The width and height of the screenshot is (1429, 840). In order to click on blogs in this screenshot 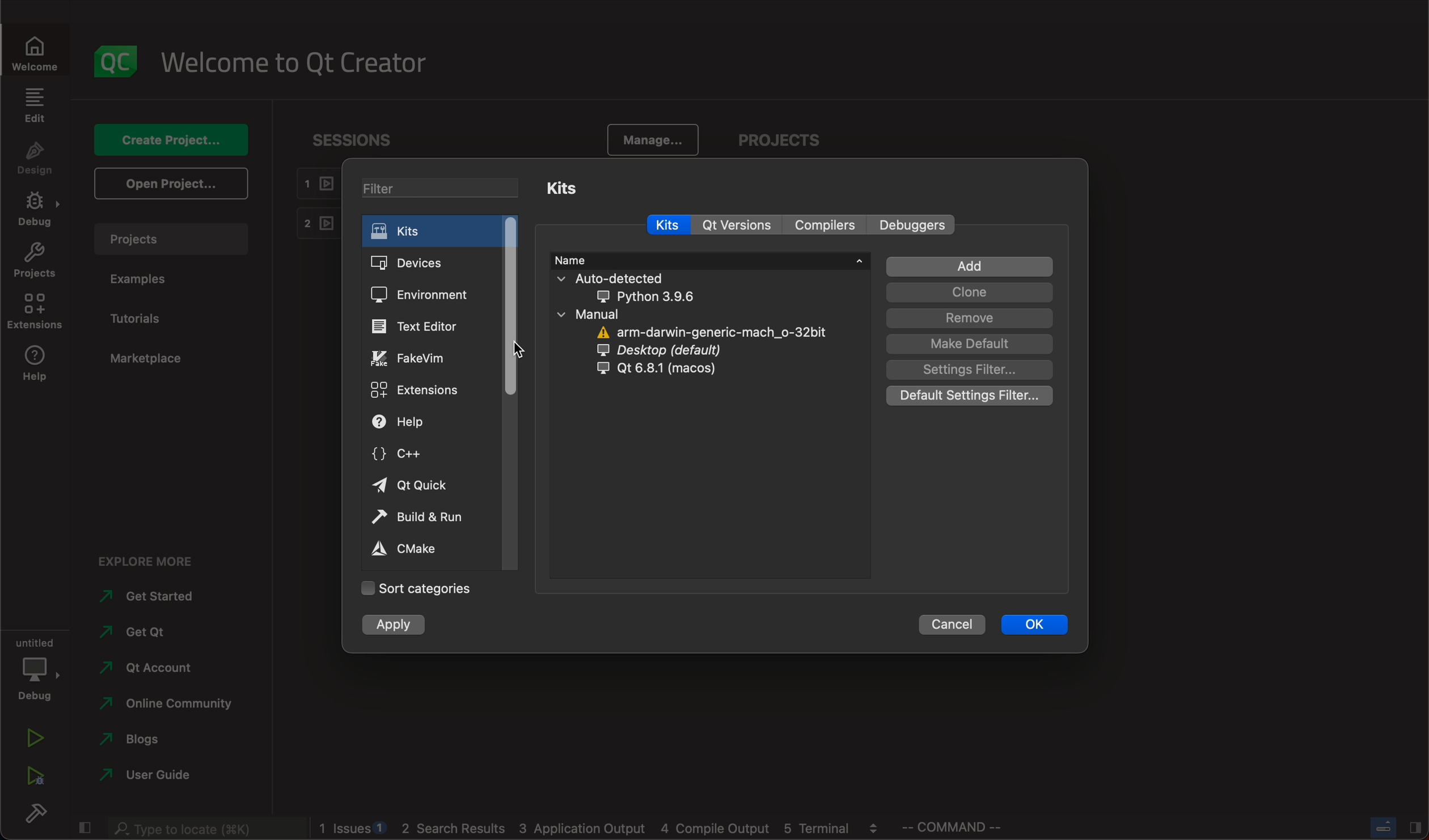, I will do `click(141, 738)`.